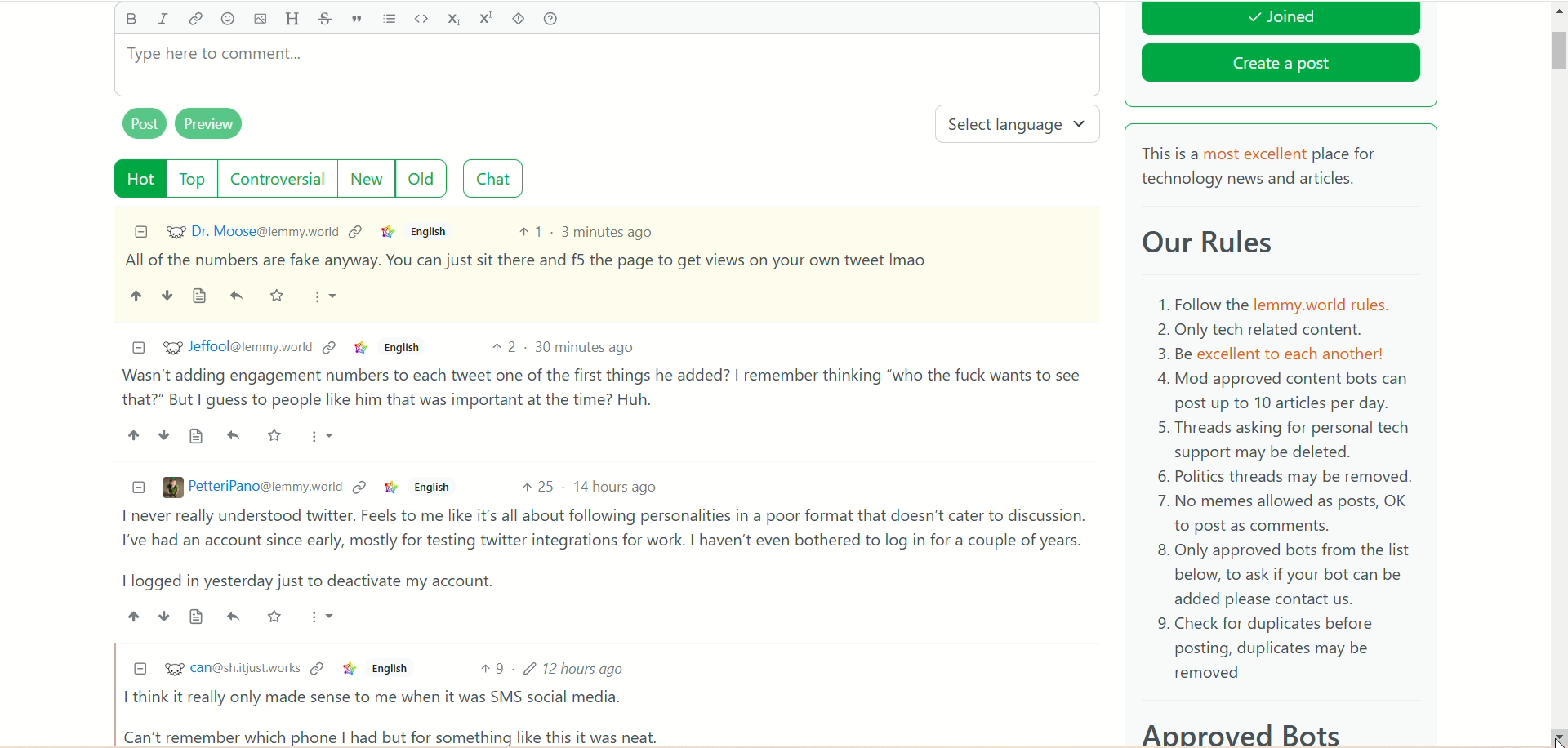 Image resolution: width=1568 pixels, height=748 pixels. Describe the element at coordinates (1281, 19) in the screenshot. I see `joined` at that location.